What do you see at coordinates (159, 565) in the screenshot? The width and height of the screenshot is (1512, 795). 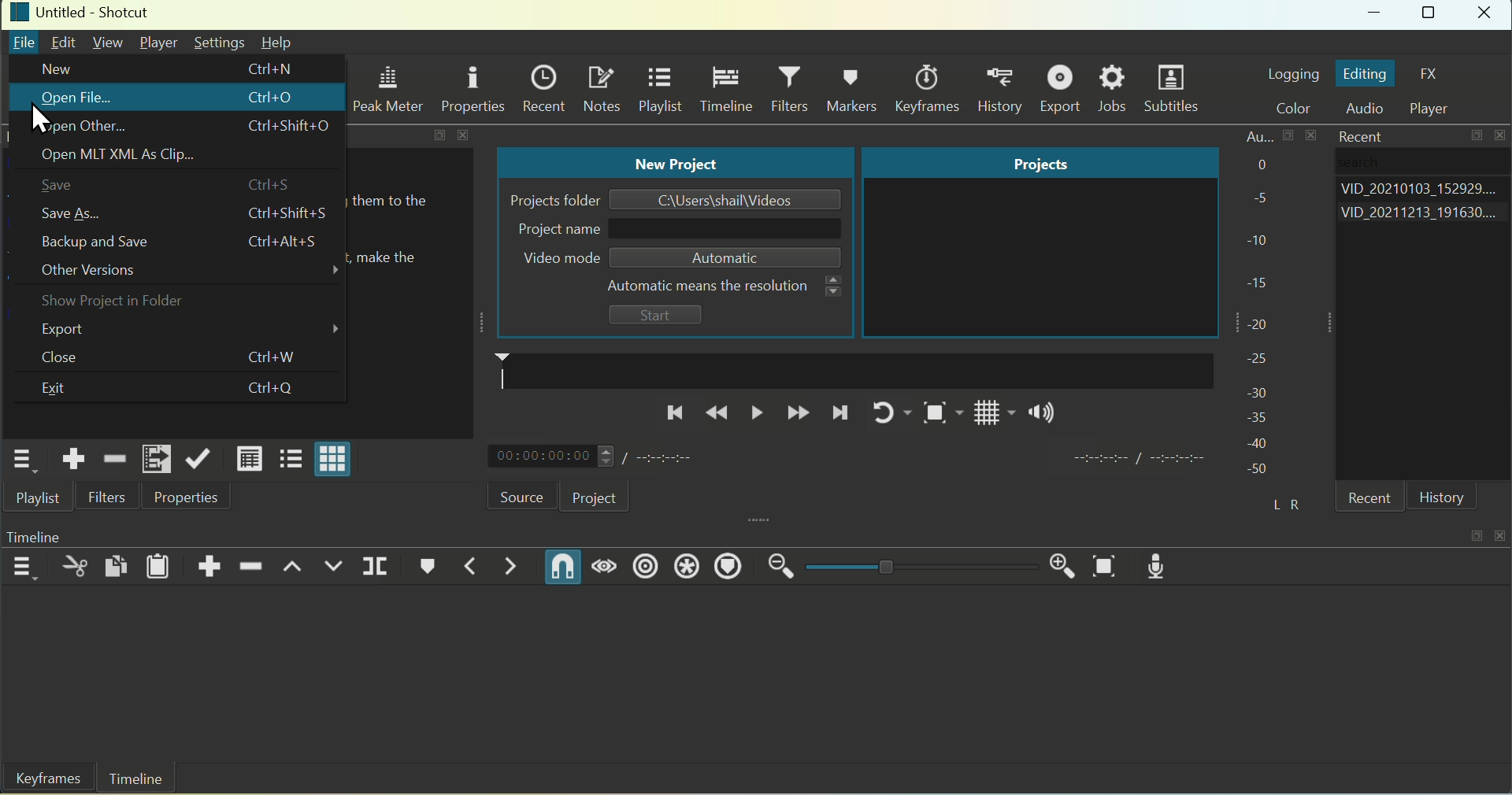 I see `Paste` at bounding box center [159, 565].